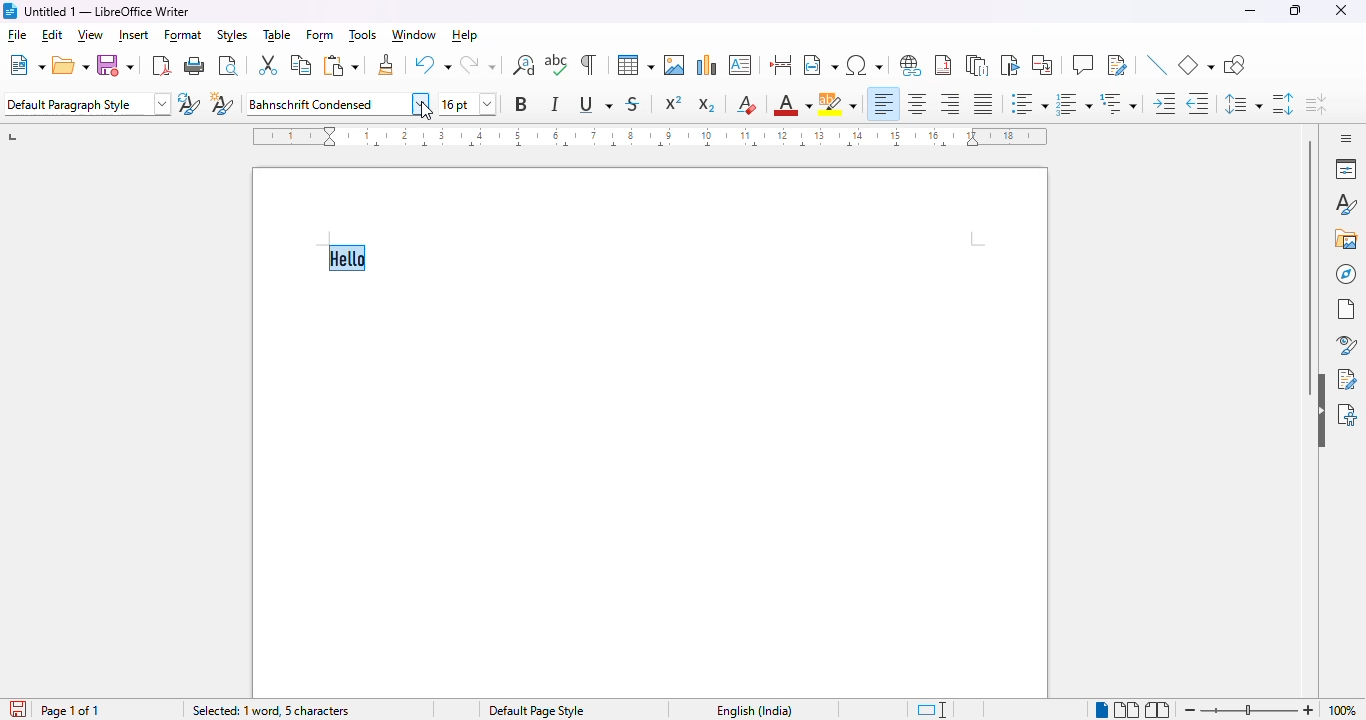 The image size is (1366, 720). Describe the element at coordinates (1127, 710) in the screenshot. I see `multi page view` at that location.